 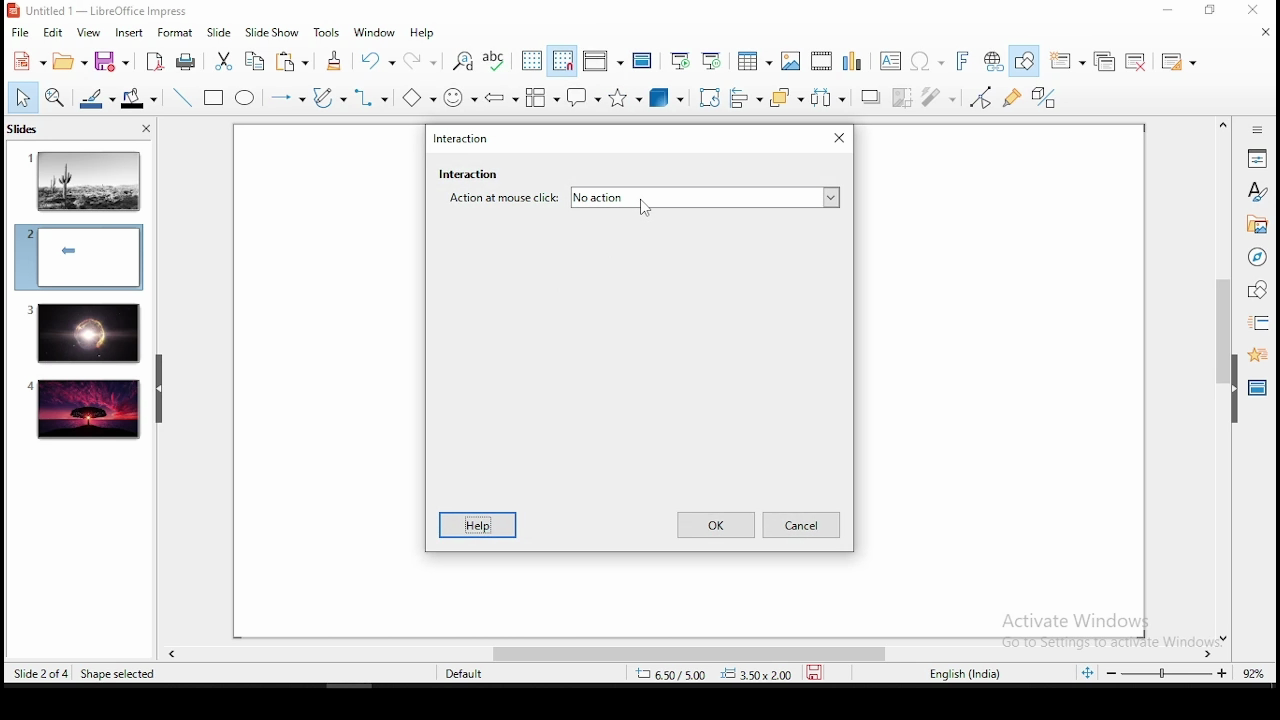 What do you see at coordinates (1259, 386) in the screenshot?
I see `master slides` at bounding box center [1259, 386].